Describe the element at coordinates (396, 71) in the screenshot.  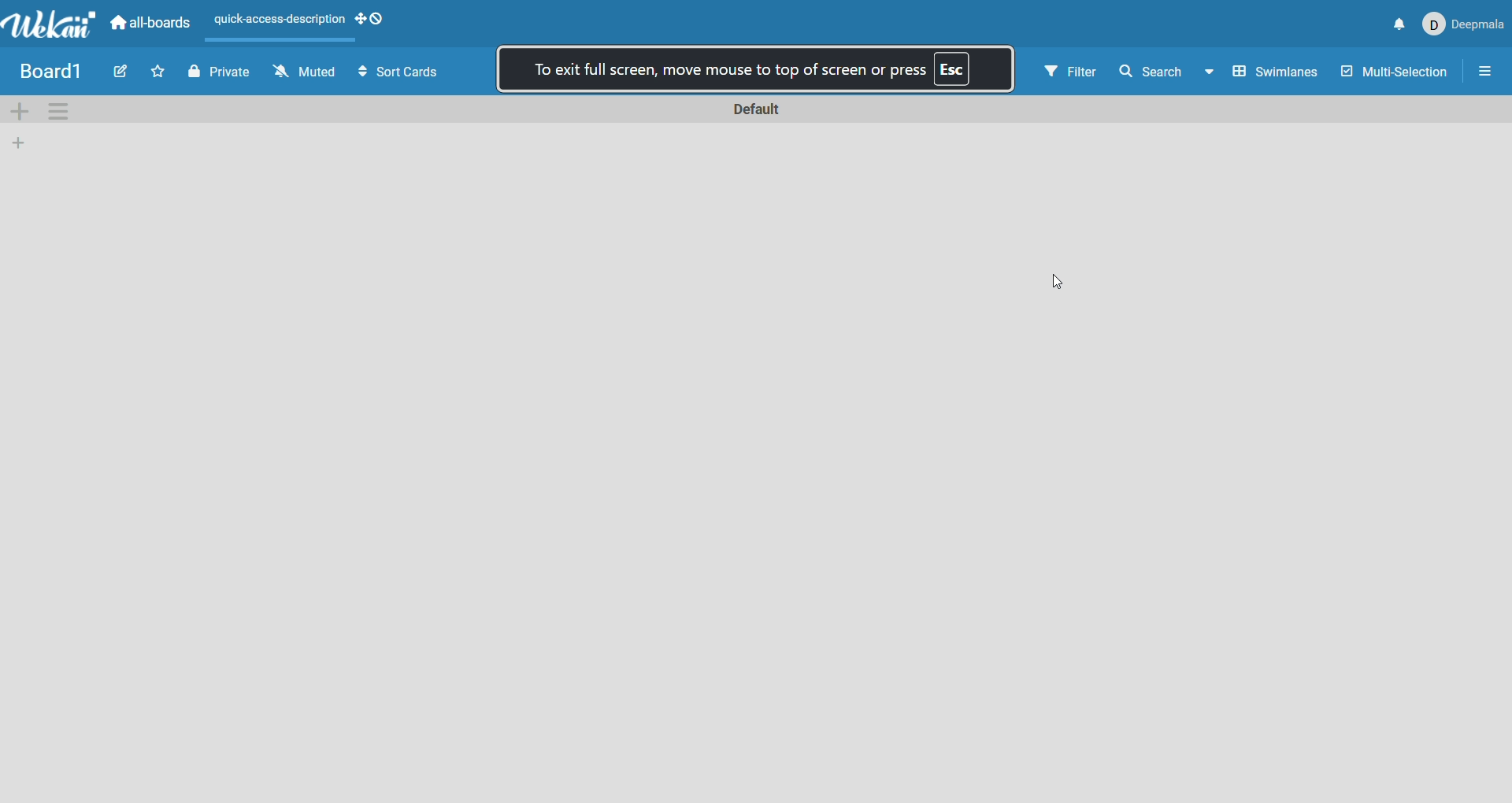
I see `sort cards` at that location.